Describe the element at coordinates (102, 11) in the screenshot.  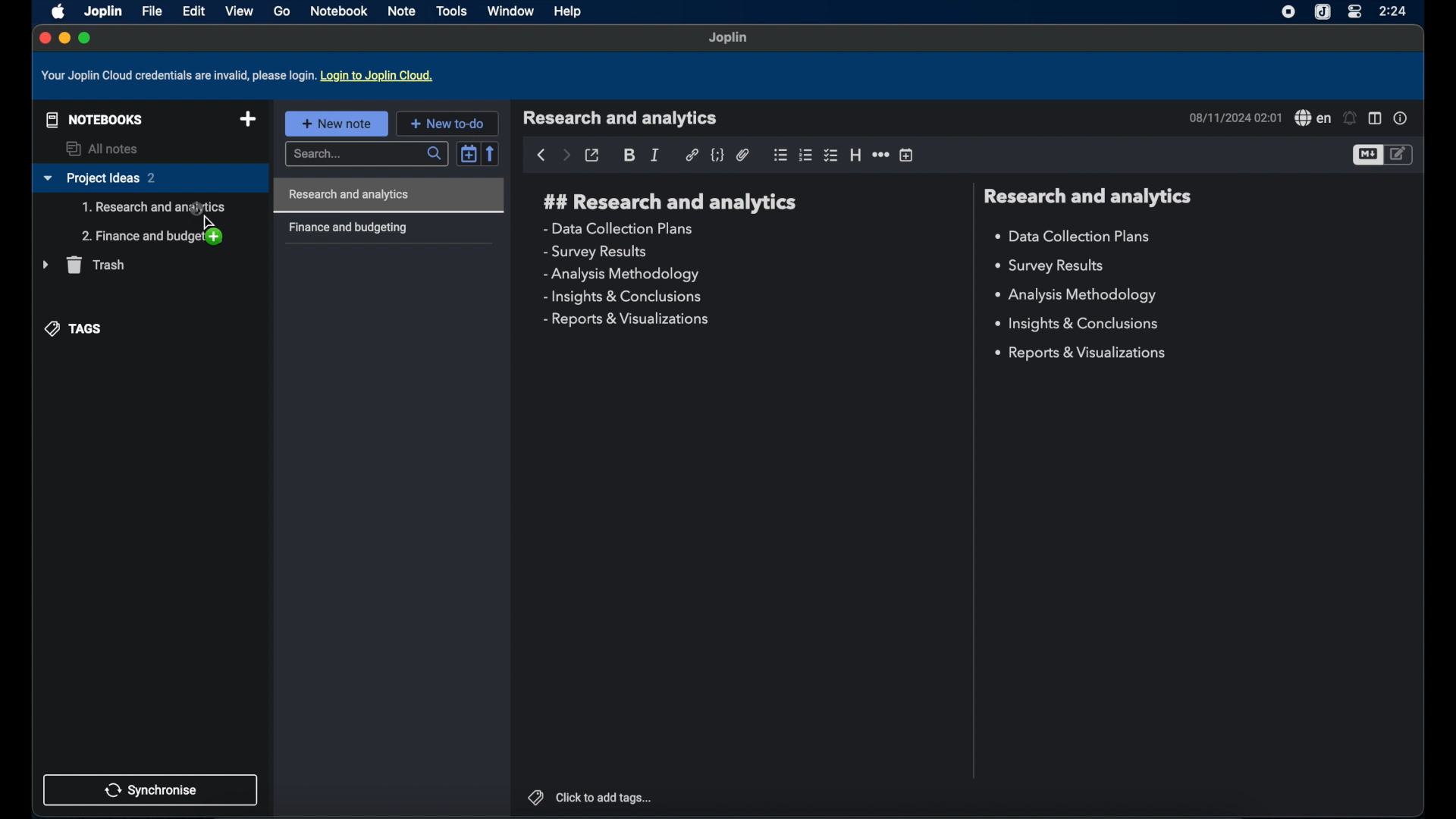
I see `Joplin` at that location.